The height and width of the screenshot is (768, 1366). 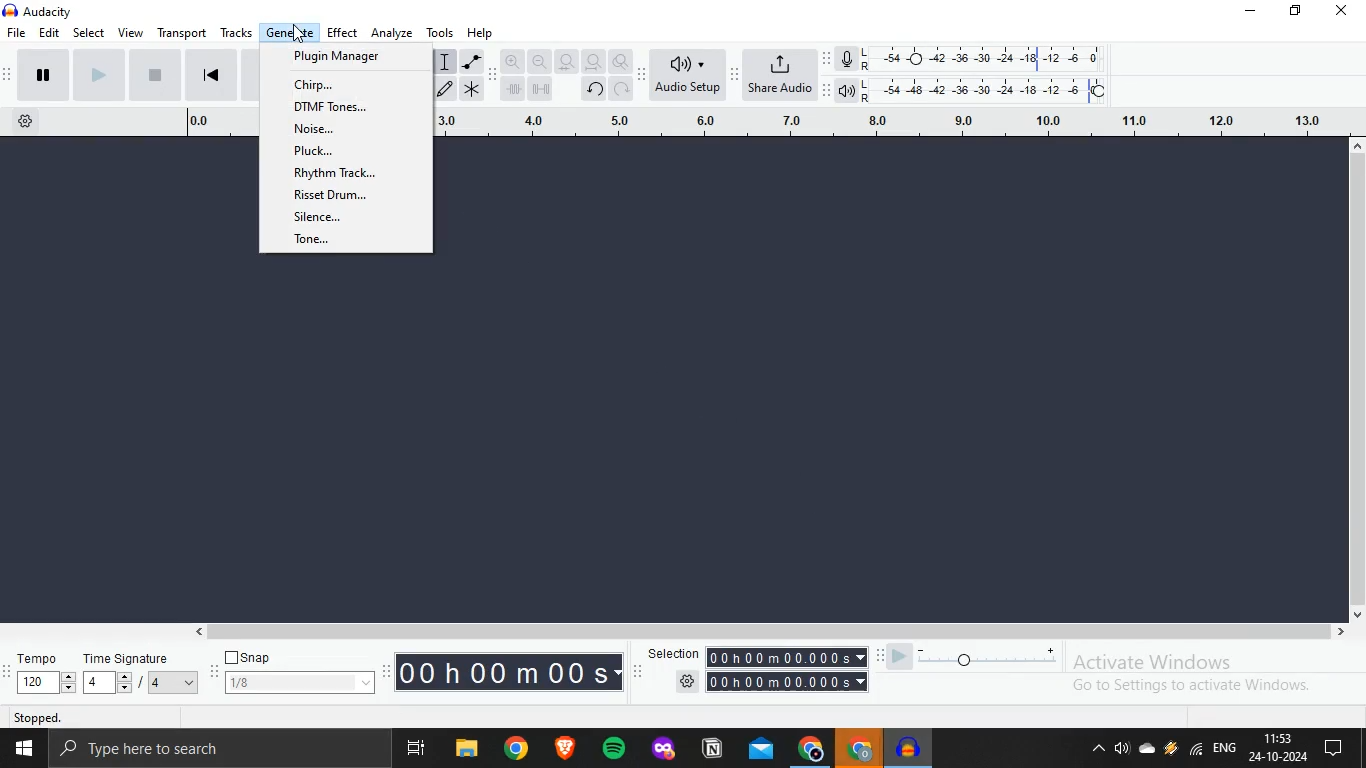 What do you see at coordinates (345, 31) in the screenshot?
I see `Effect` at bounding box center [345, 31].